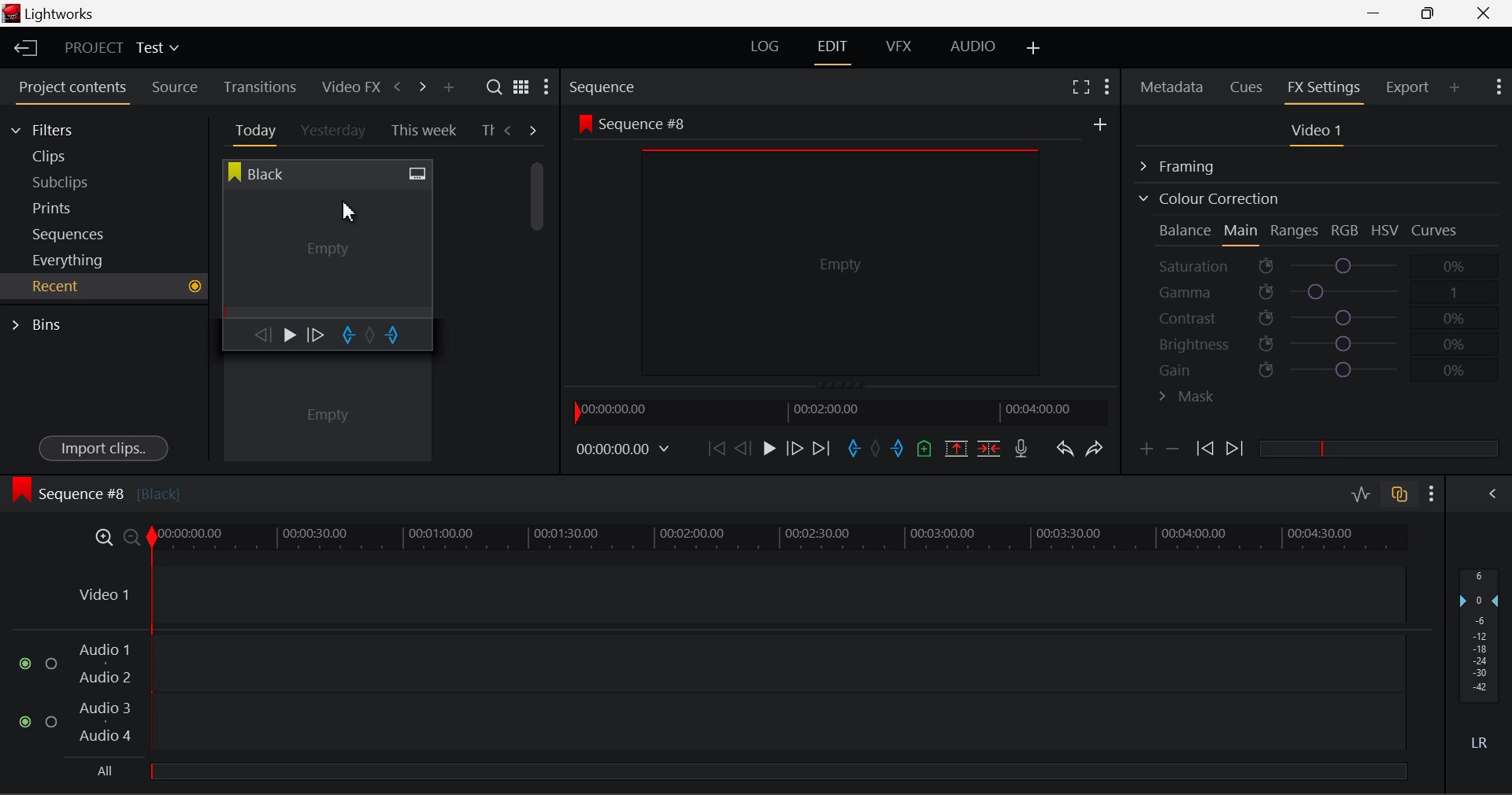 Image resolution: width=1512 pixels, height=795 pixels. What do you see at coordinates (325, 253) in the screenshot?
I see `Cursor MOUSE_DOWN on Black Clip` at bounding box center [325, 253].